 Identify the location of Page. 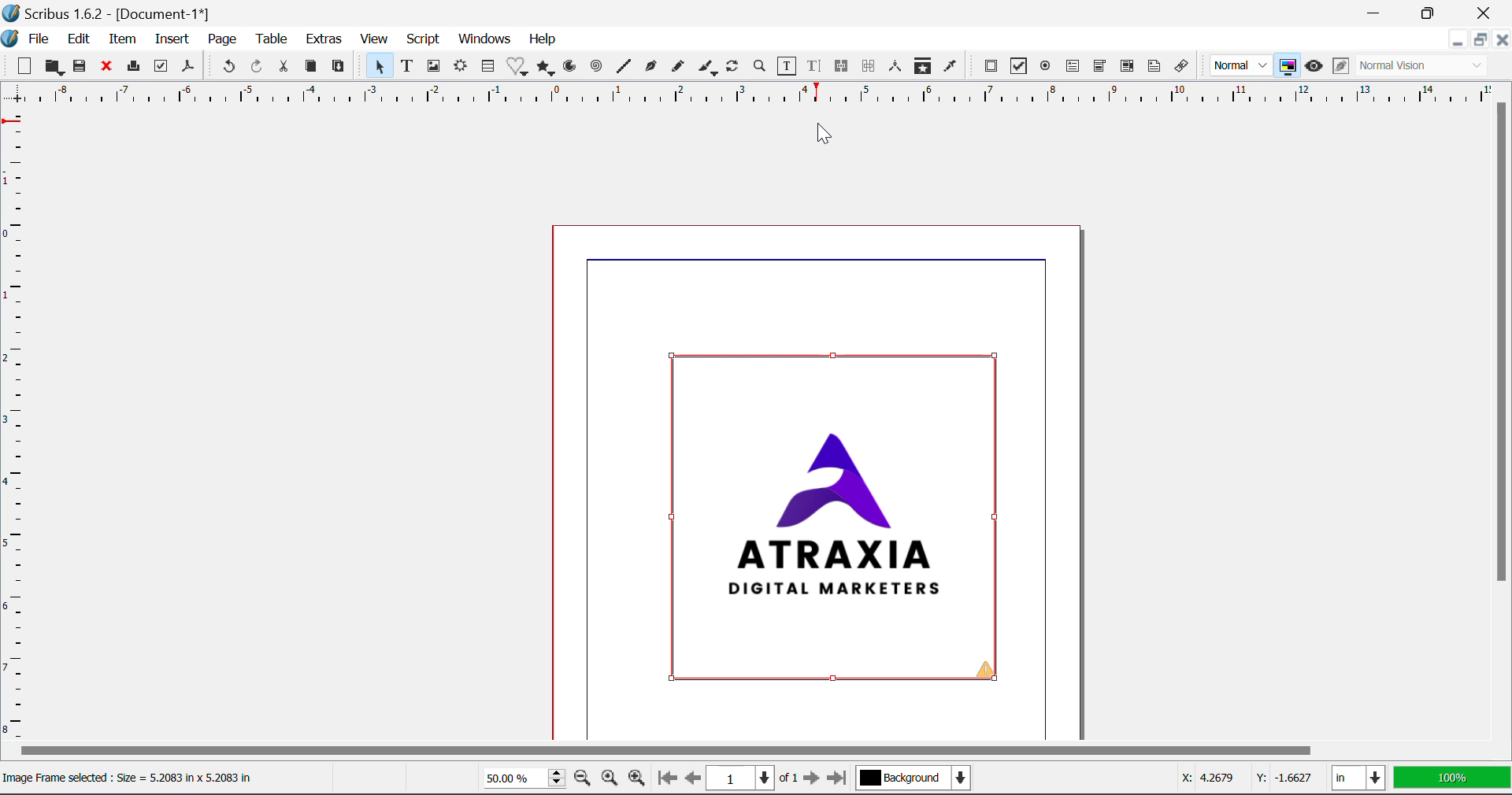
(221, 39).